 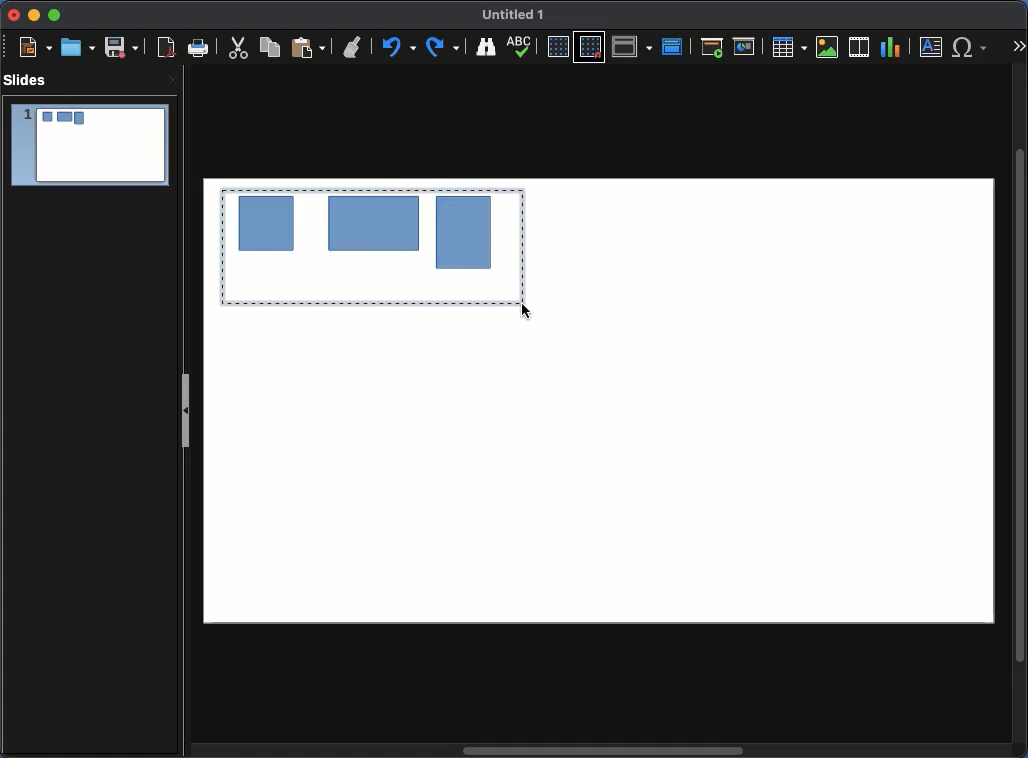 I want to click on Save, so click(x=121, y=47).